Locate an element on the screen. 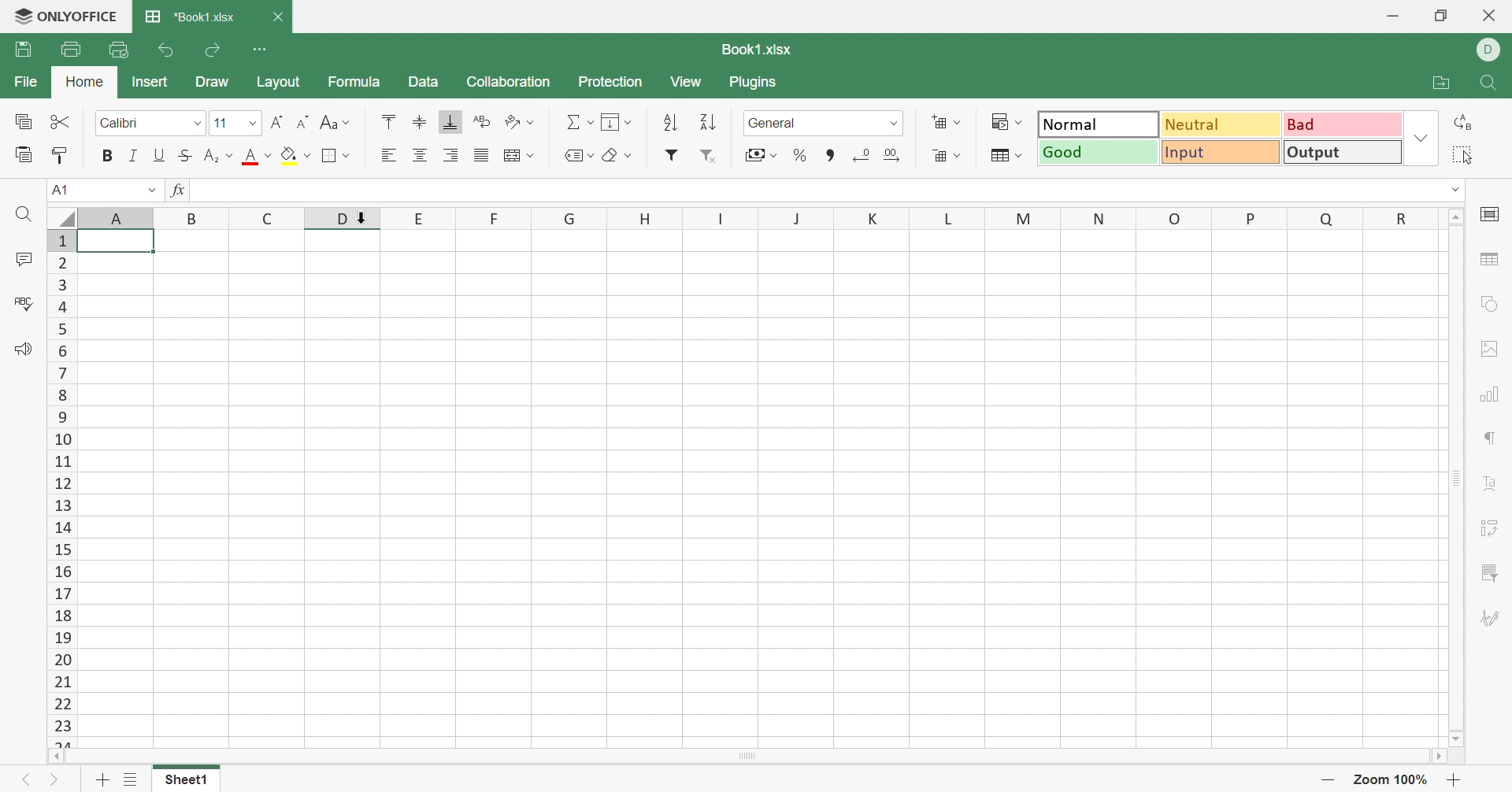 The width and height of the screenshot is (1512, 792). Close is located at coordinates (1491, 18).